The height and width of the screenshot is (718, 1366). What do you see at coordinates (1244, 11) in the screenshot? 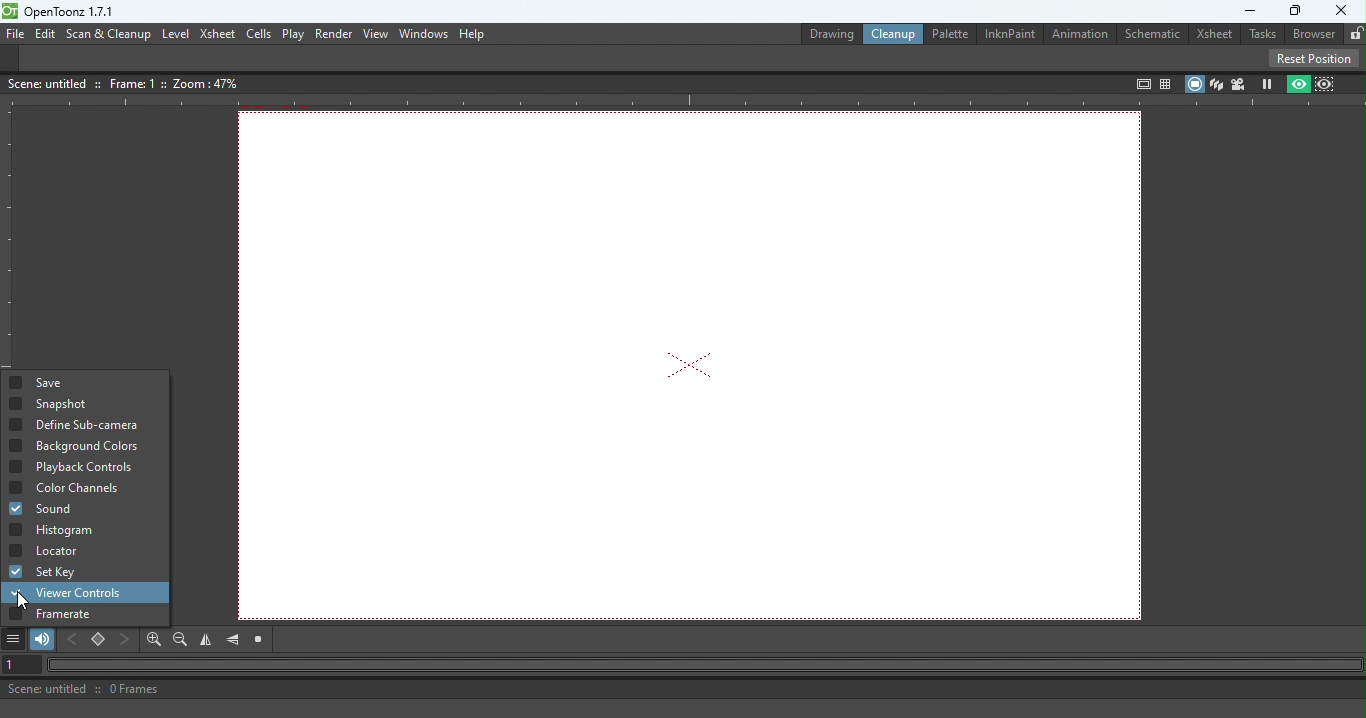
I see `Minimize` at bounding box center [1244, 11].